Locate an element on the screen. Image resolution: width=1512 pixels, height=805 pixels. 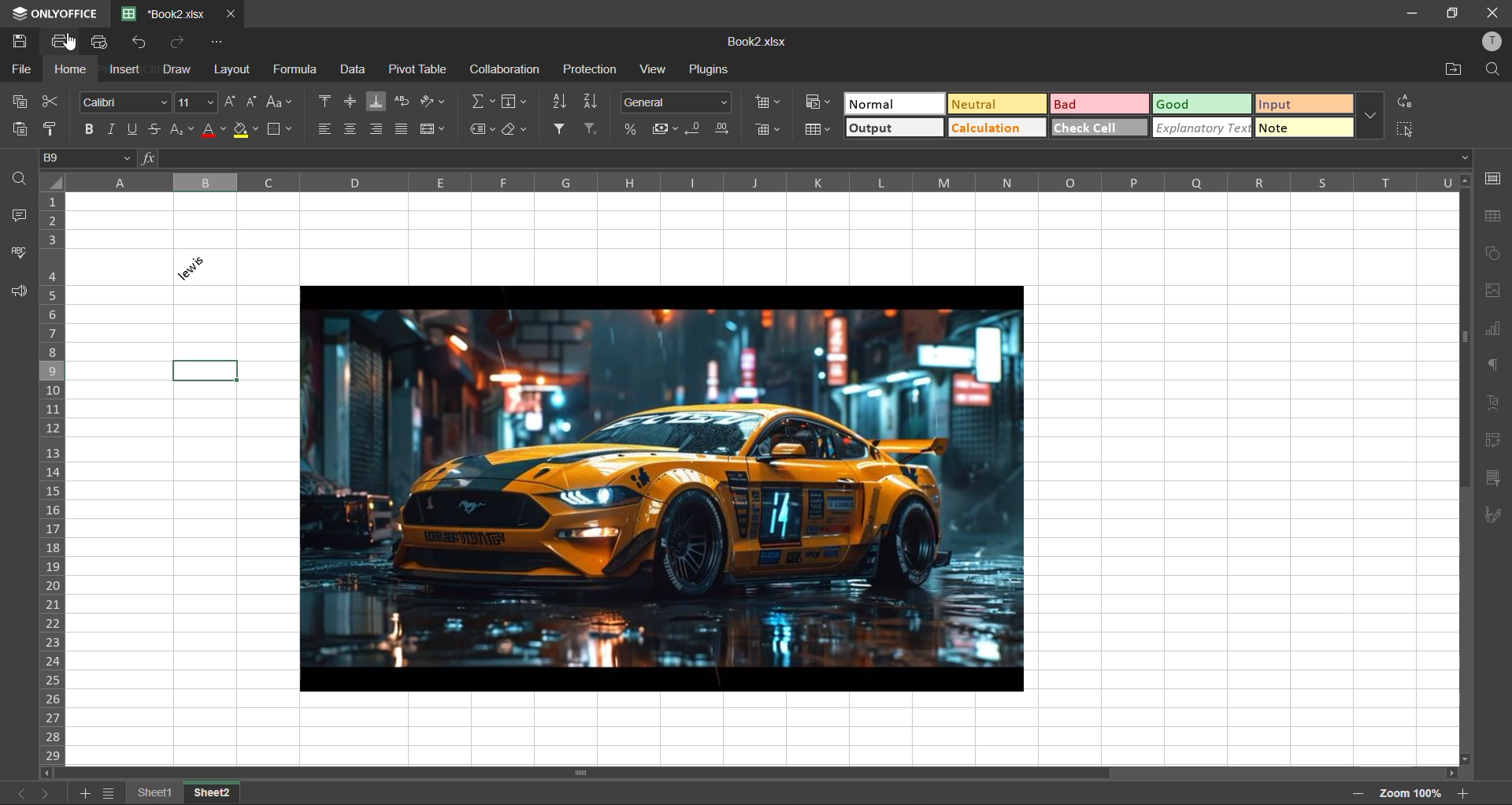
Sheet1 is located at coordinates (154, 791).